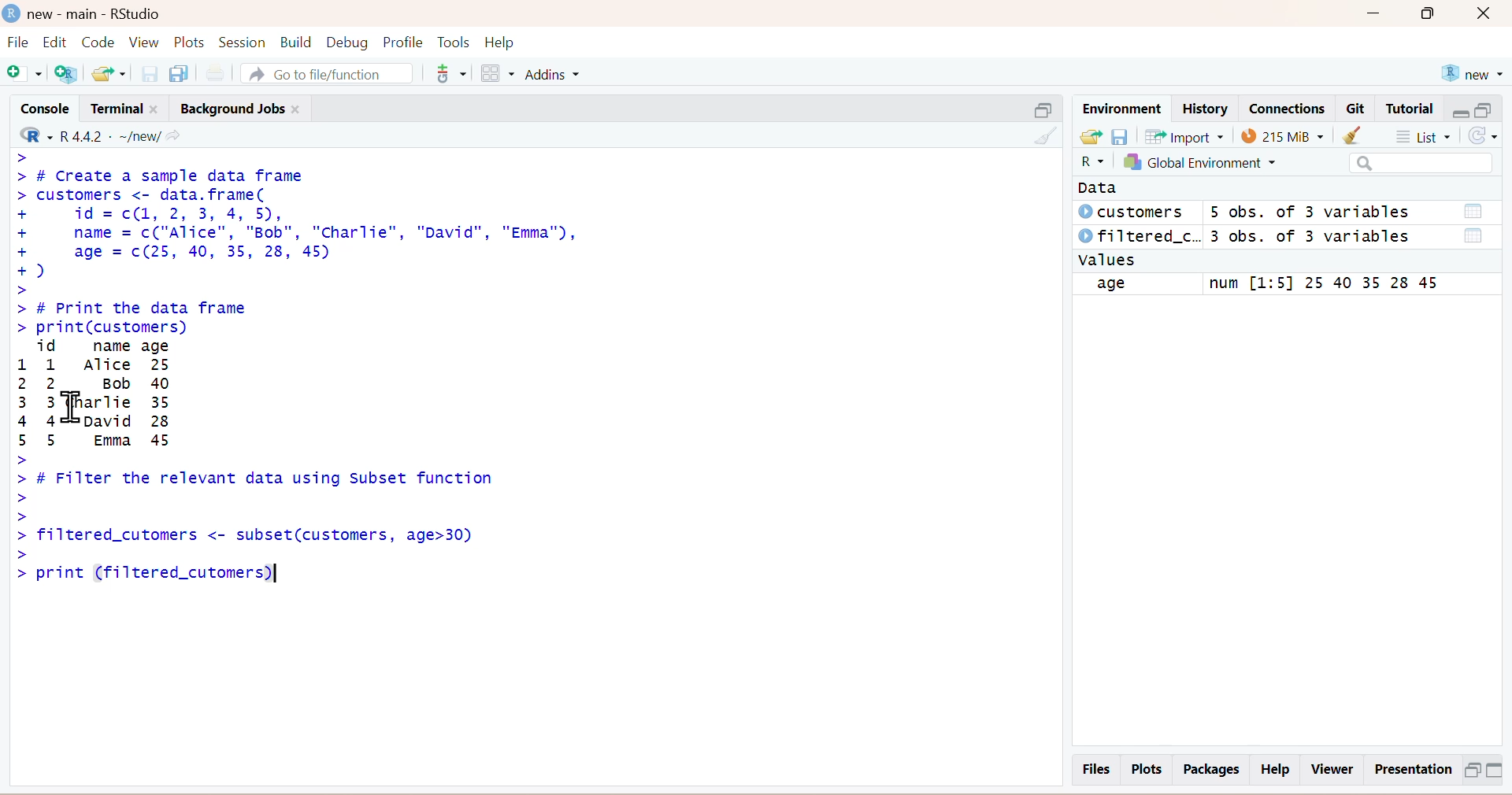 This screenshot has height=795, width=1512. Describe the element at coordinates (454, 40) in the screenshot. I see `Tools` at that location.